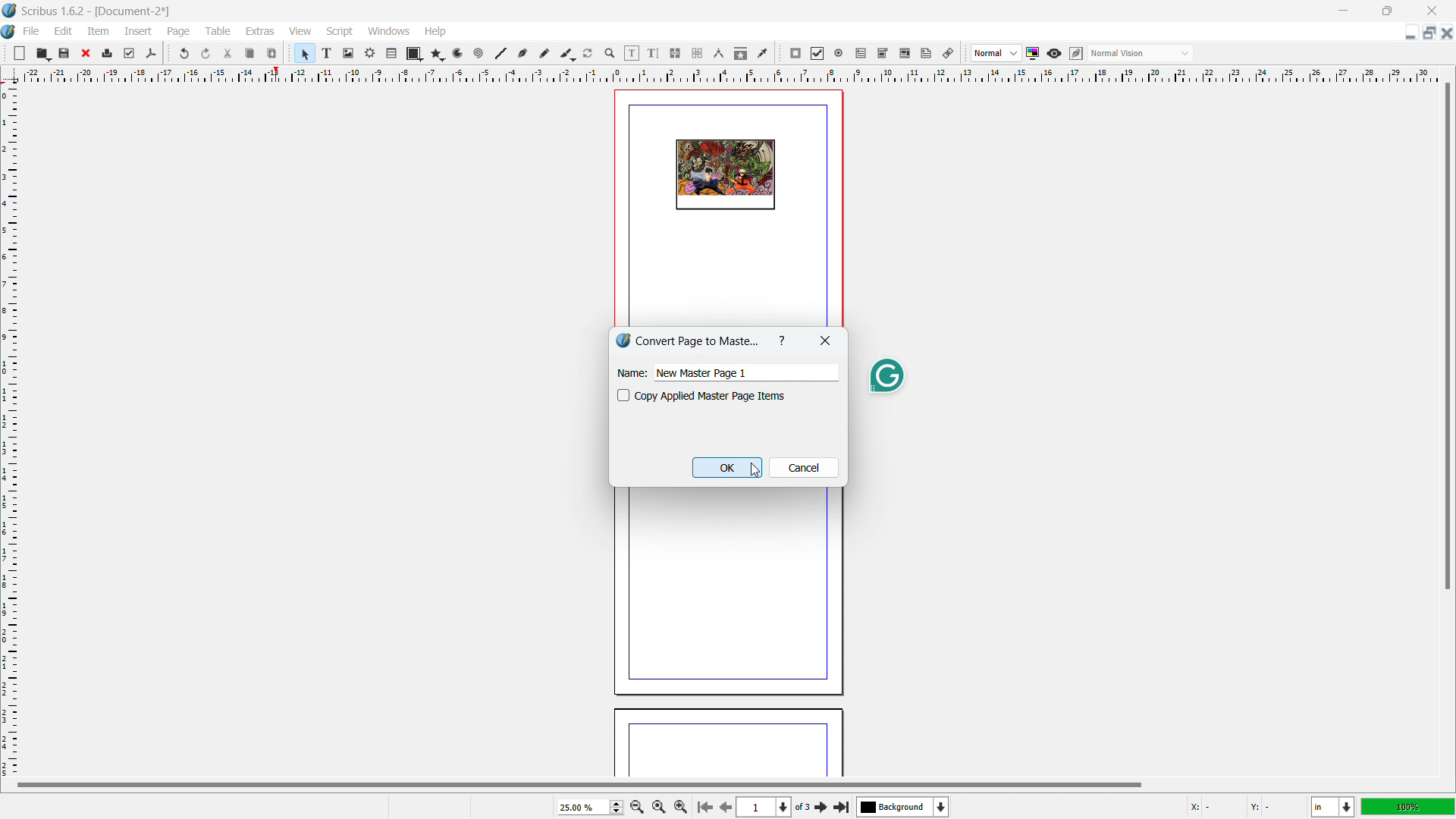 This screenshot has height=819, width=1456. Describe the element at coordinates (87, 53) in the screenshot. I see `close` at that location.